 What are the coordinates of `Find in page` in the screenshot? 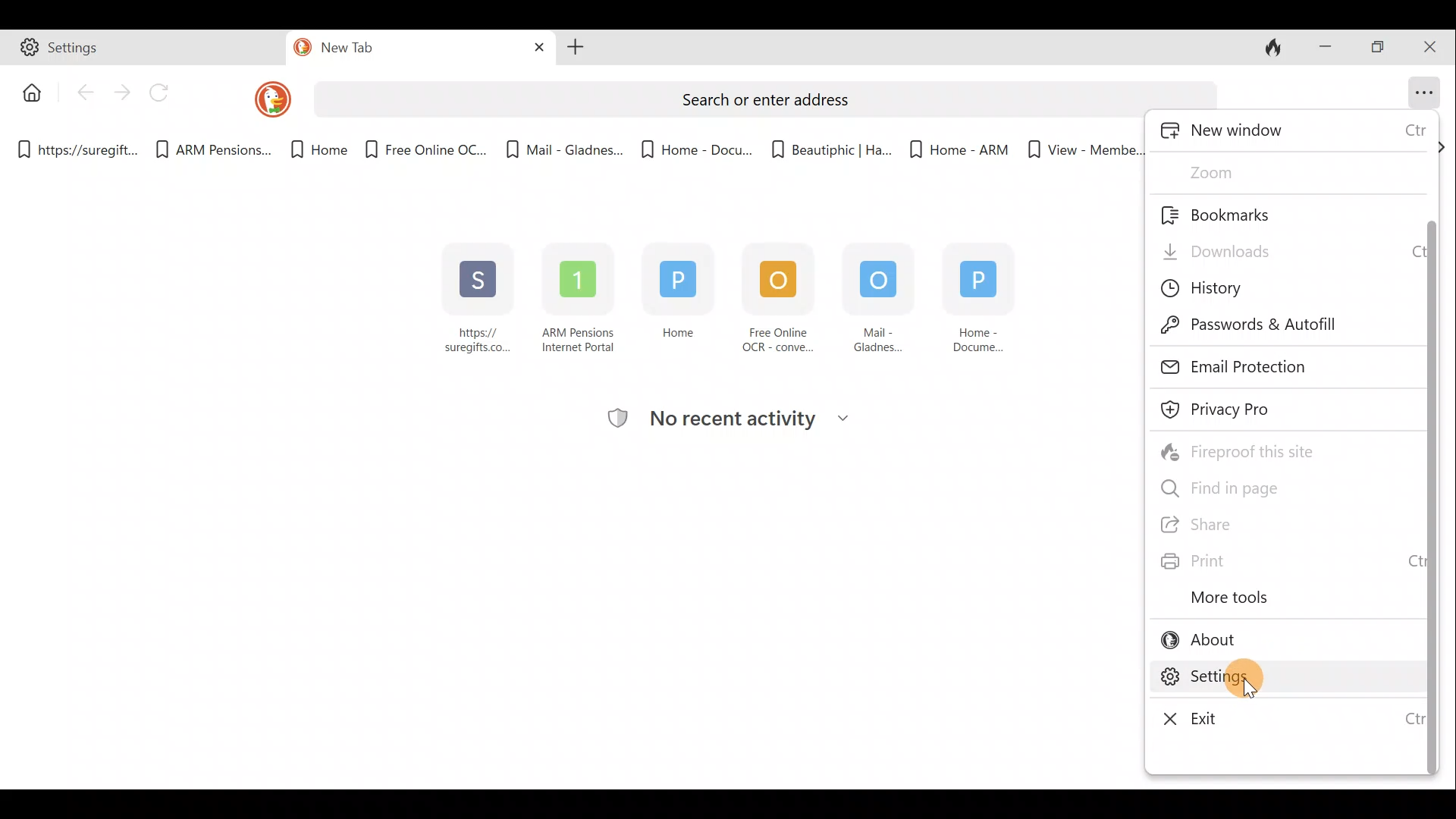 It's located at (1231, 487).